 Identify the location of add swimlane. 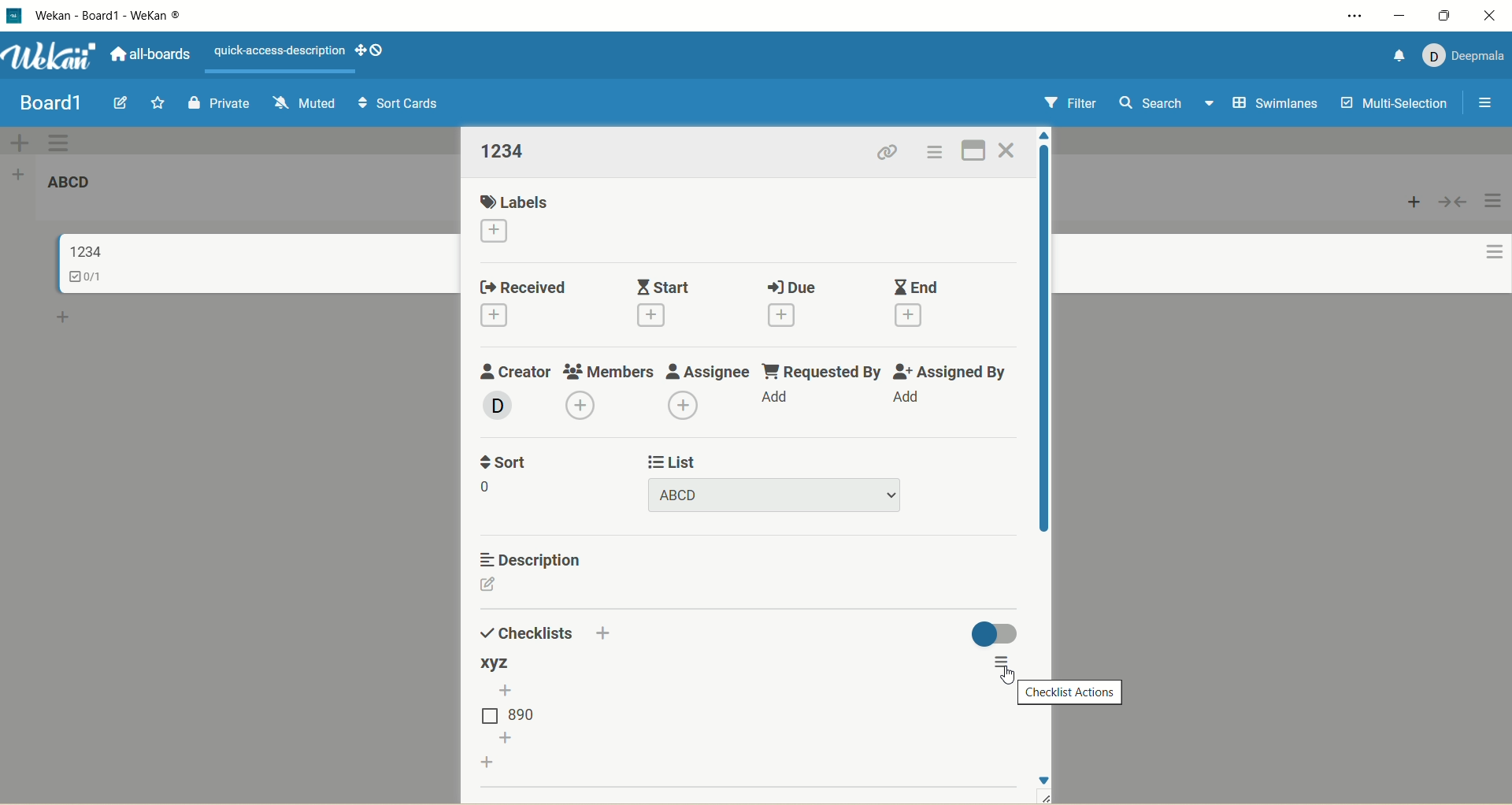
(23, 141).